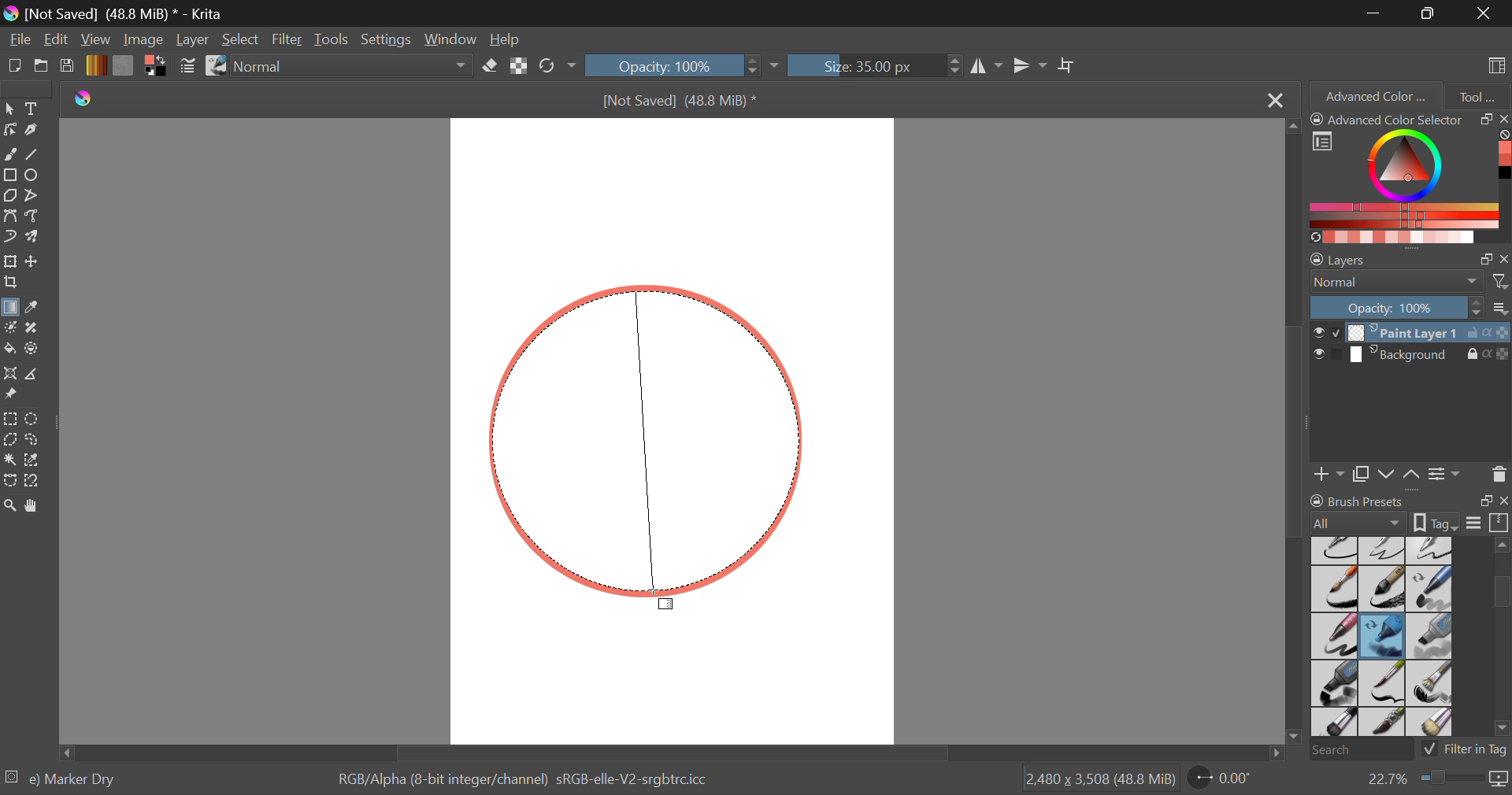 The image size is (1512, 795). Describe the element at coordinates (57, 41) in the screenshot. I see `` at that location.